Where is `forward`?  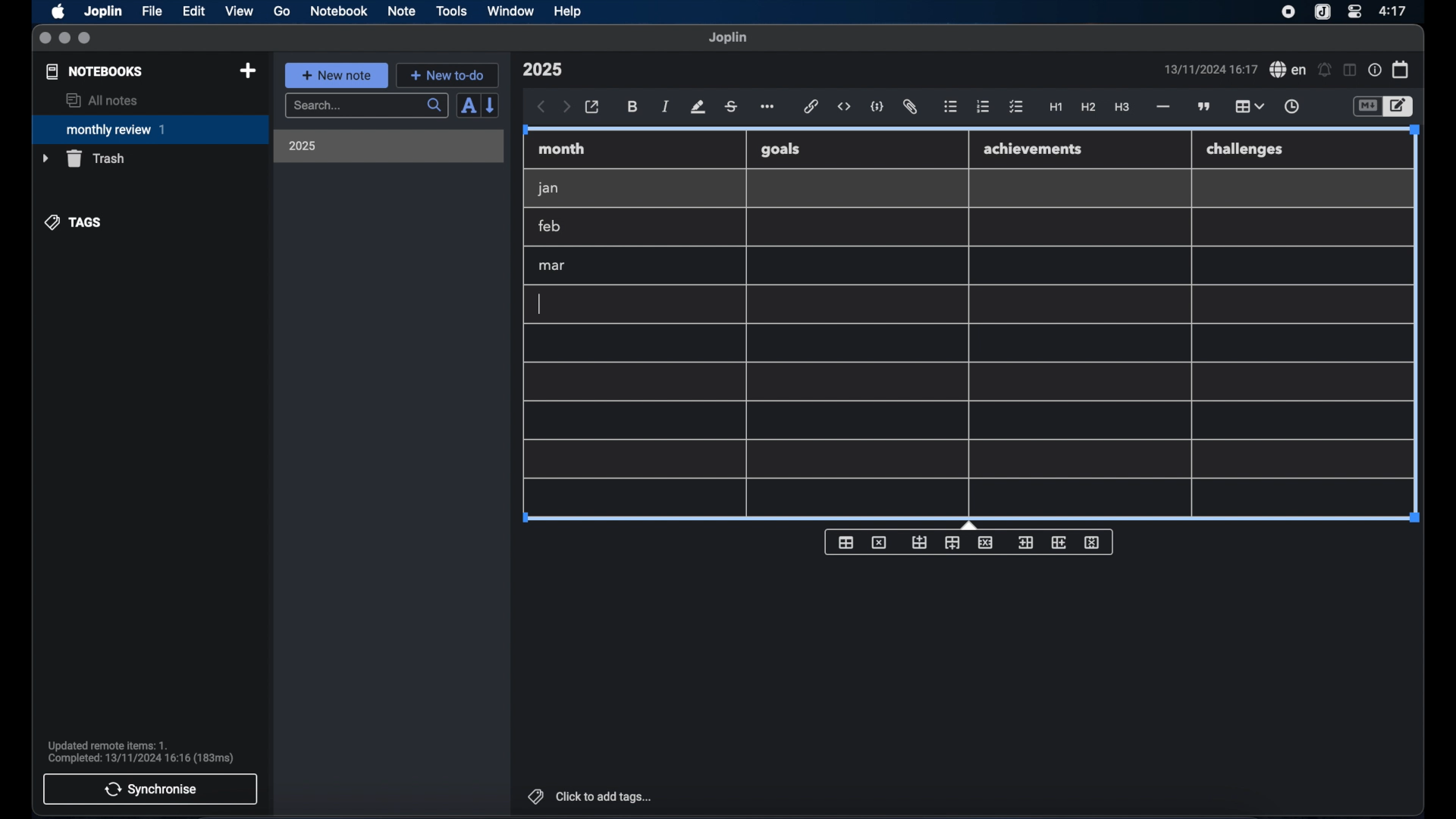
forward is located at coordinates (566, 108).